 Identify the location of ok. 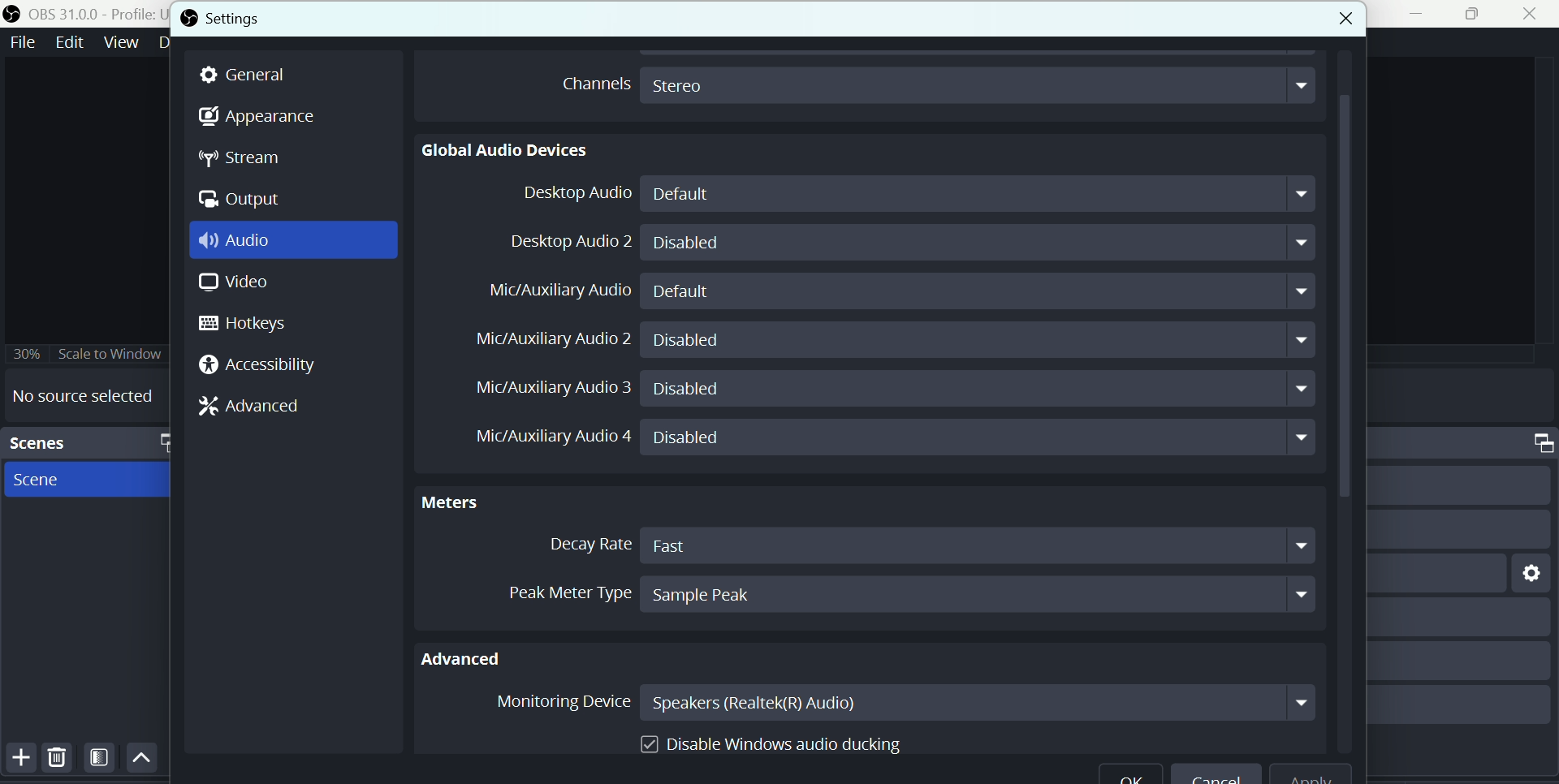
(1130, 777).